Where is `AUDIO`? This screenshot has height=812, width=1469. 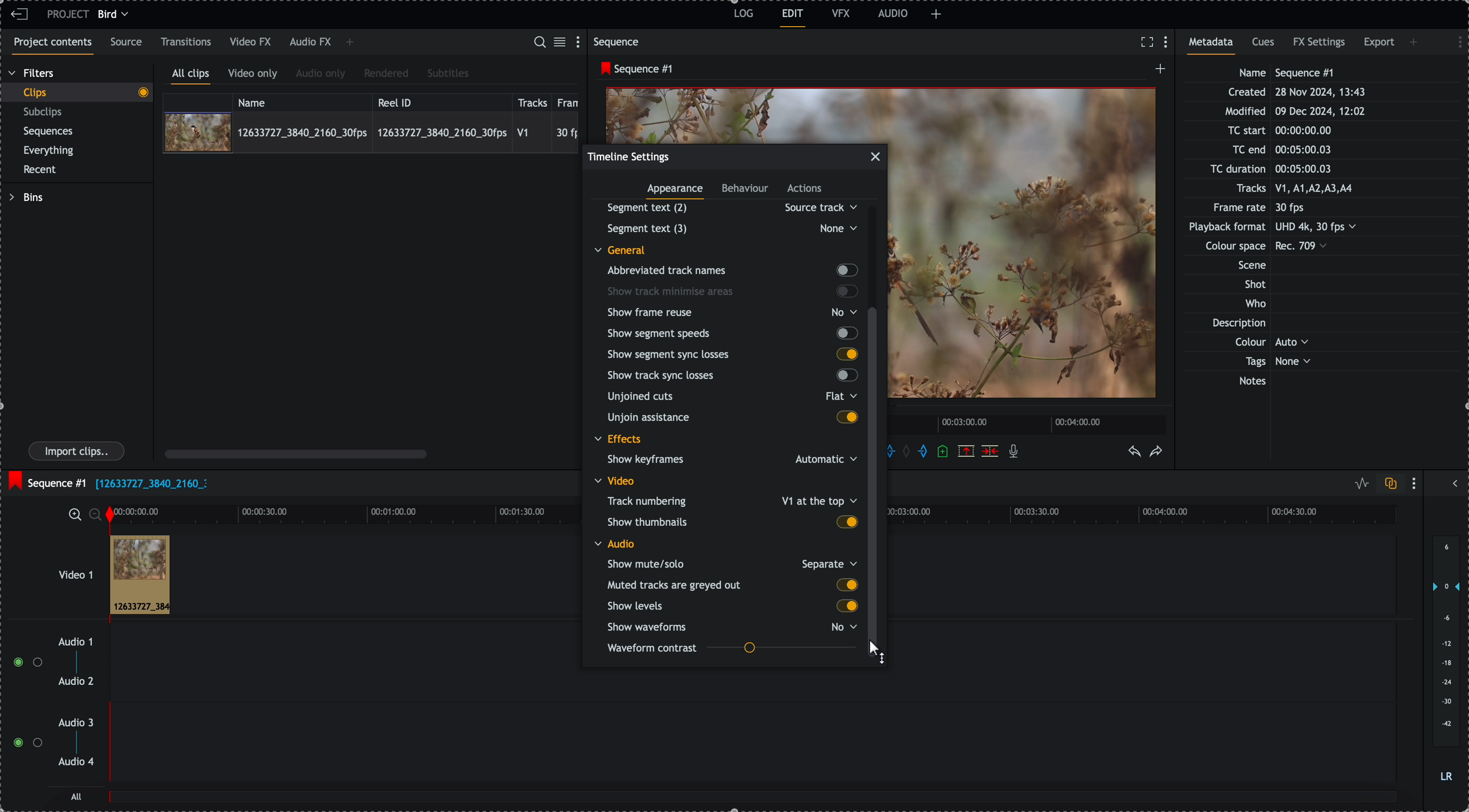 AUDIO is located at coordinates (893, 13).